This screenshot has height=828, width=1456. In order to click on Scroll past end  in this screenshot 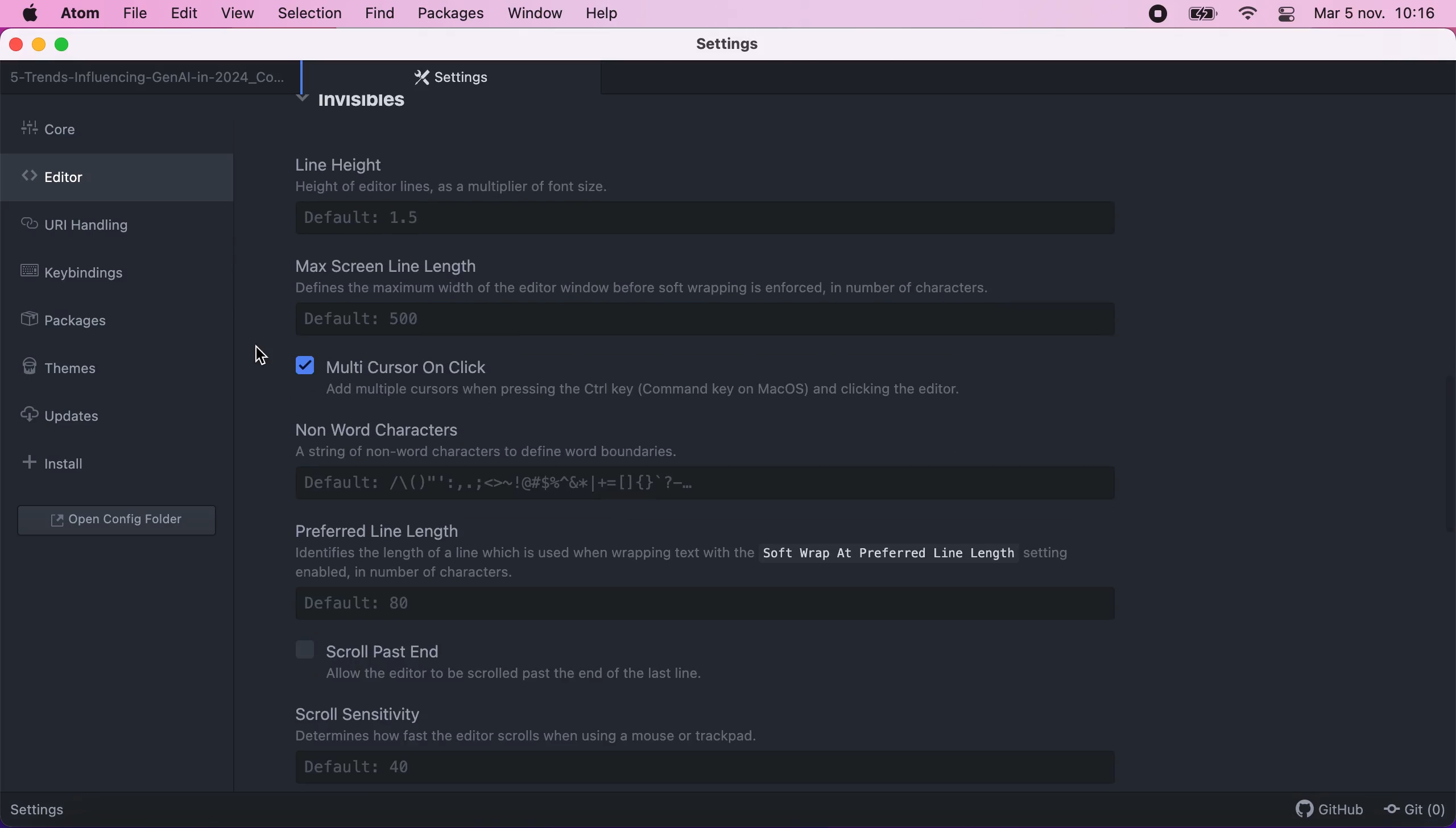, I will do `click(503, 661)`.